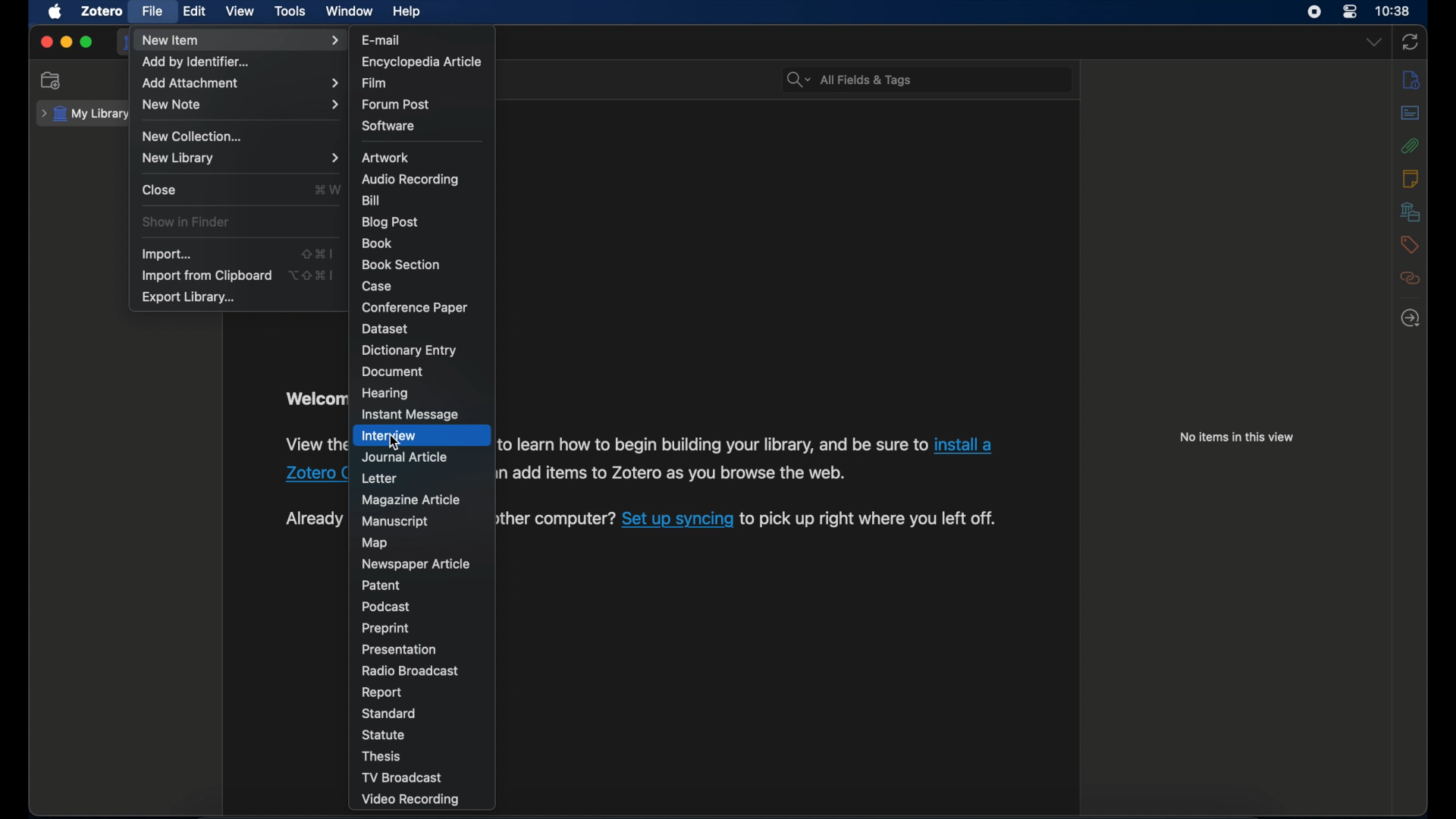 This screenshot has height=819, width=1456. Describe the element at coordinates (413, 415) in the screenshot. I see `instant  message` at that location.